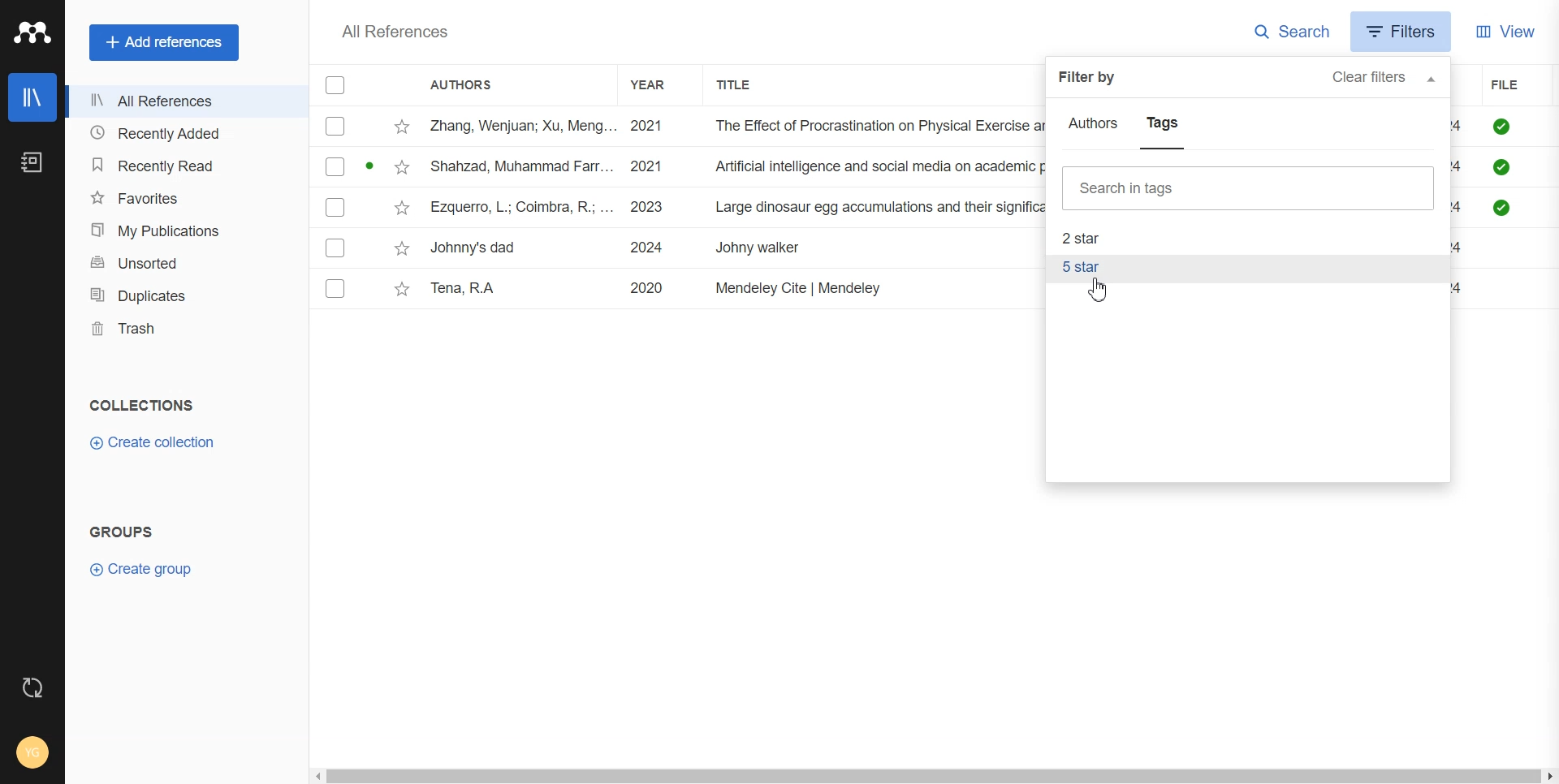  What do you see at coordinates (335, 84) in the screenshot?
I see `Checklist` at bounding box center [335, 84].